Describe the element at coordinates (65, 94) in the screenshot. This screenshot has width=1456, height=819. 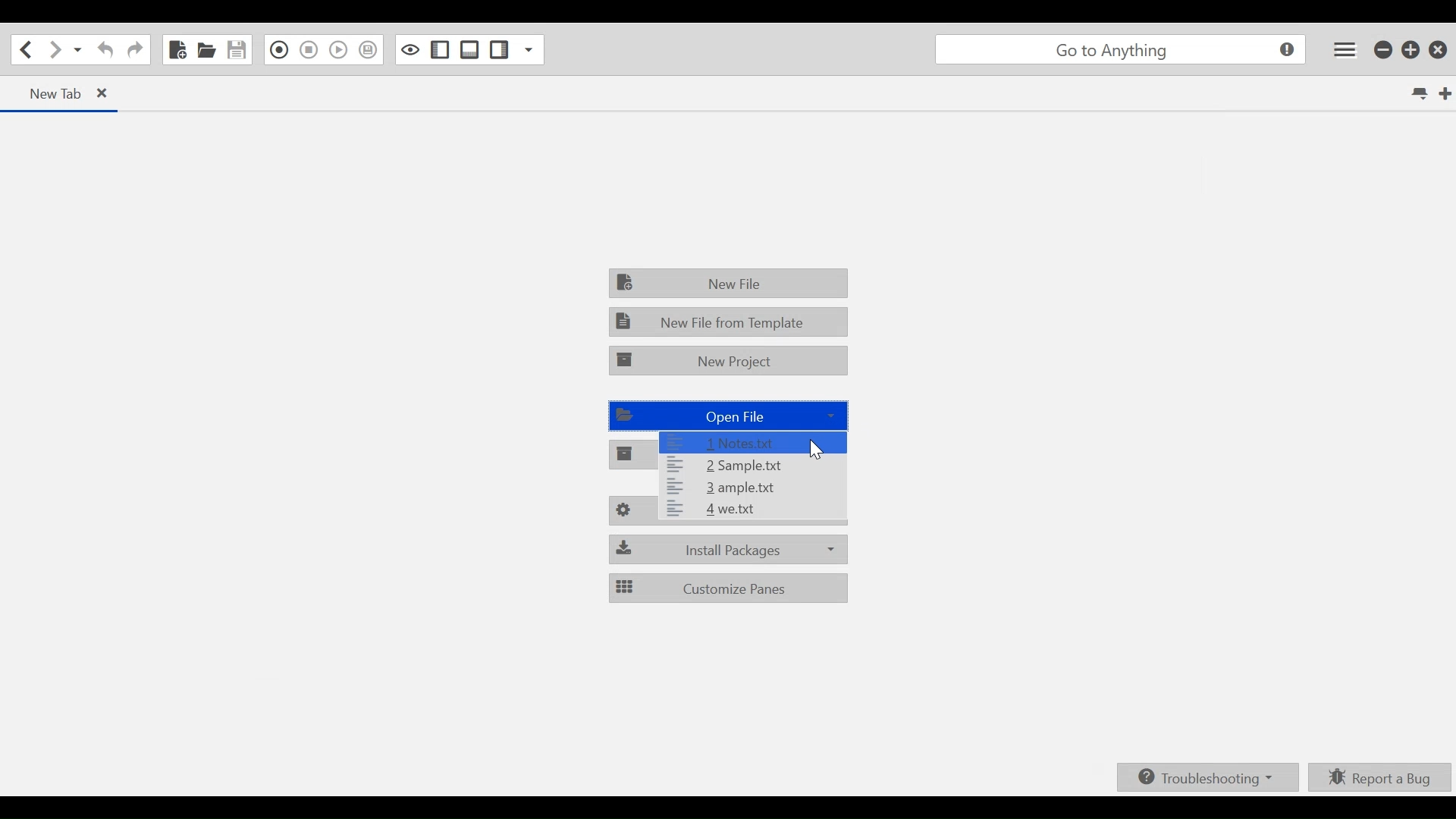
I see `new Tab` at that location.